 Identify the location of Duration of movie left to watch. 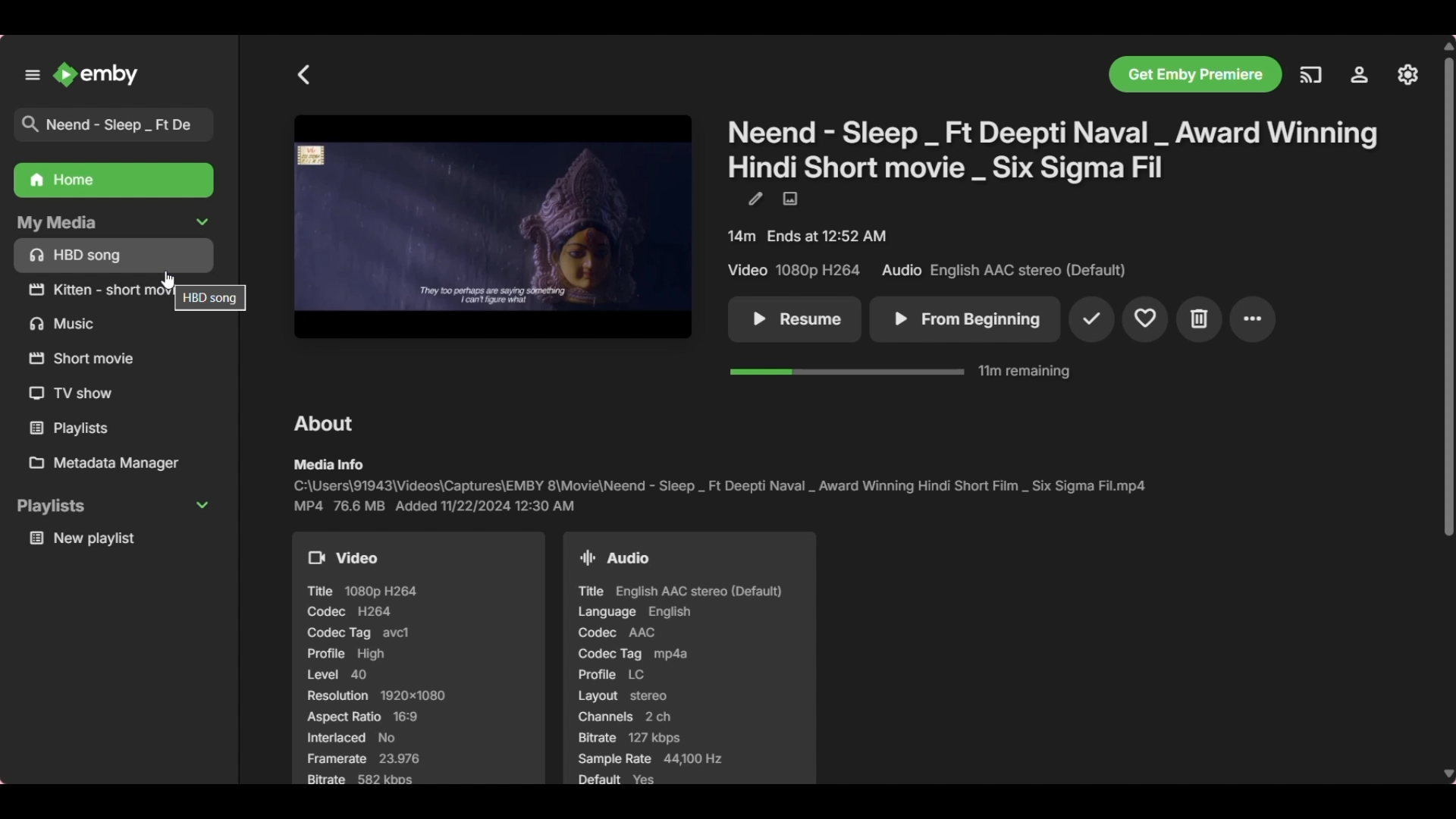
(900, 371).